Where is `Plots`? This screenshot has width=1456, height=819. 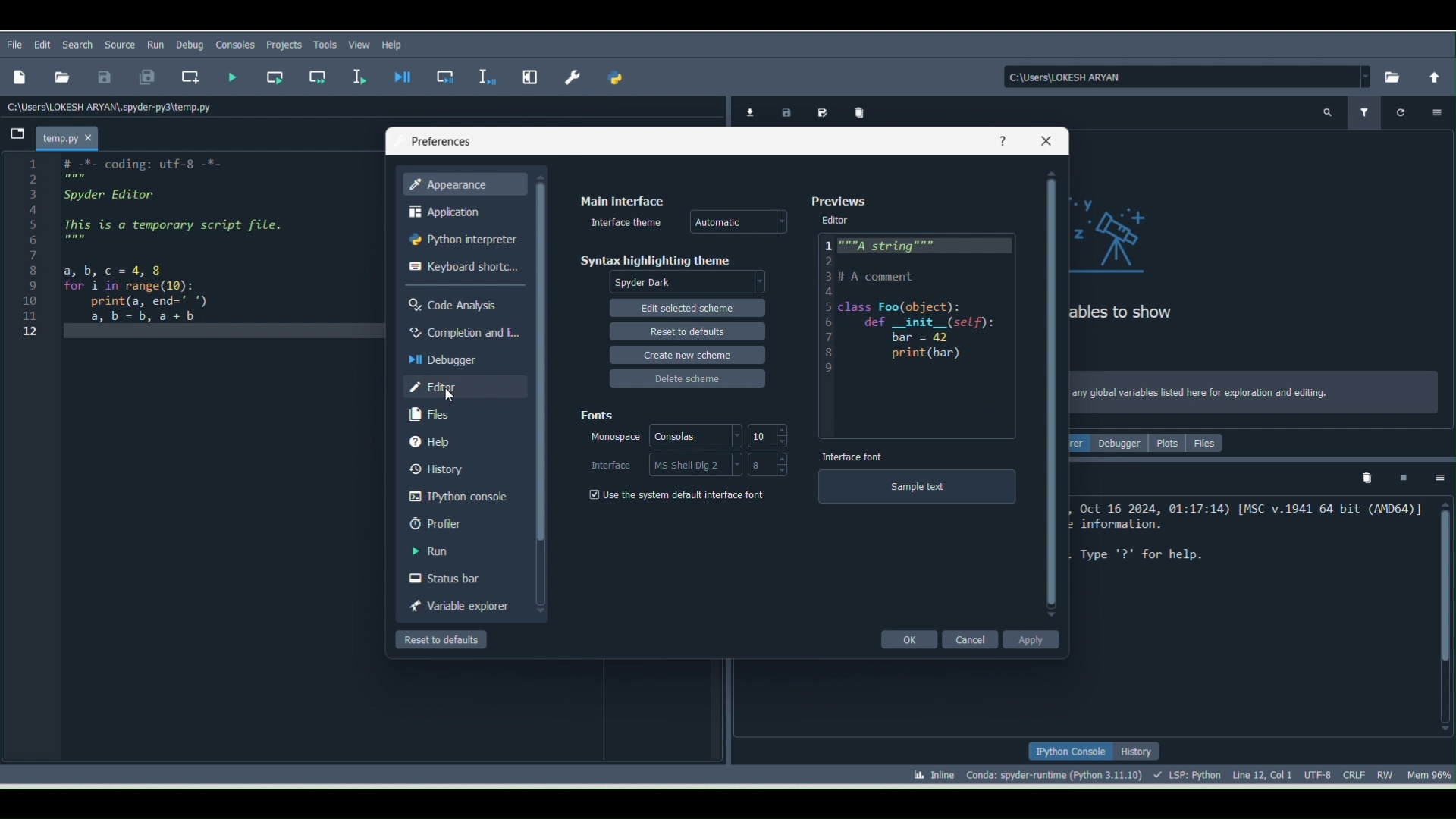 Plots is located at coordinates (1169, 445).